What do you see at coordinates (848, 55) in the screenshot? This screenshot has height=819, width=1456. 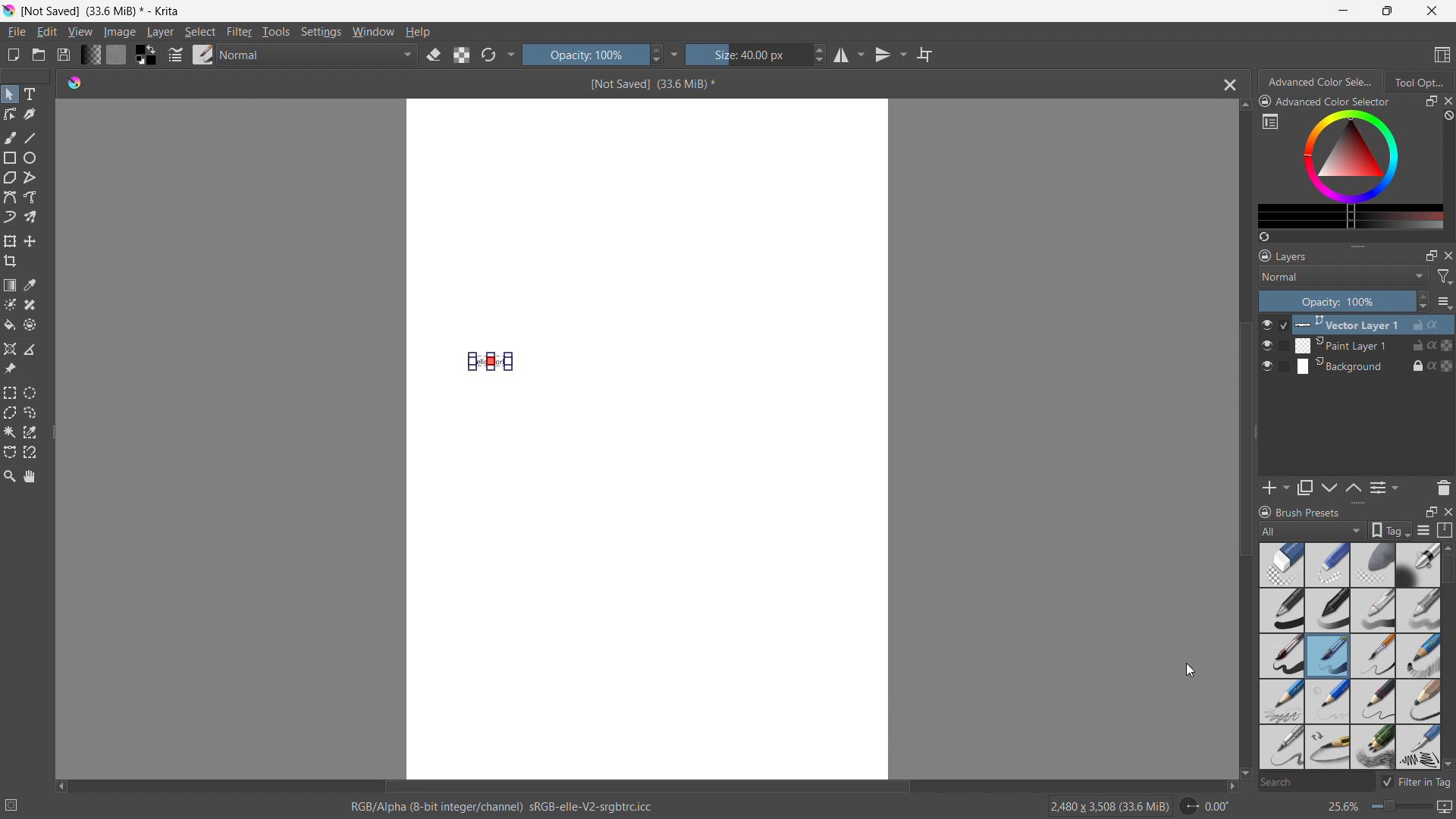 I see `horizontal mirror tool` at bounding box center [848, 55].